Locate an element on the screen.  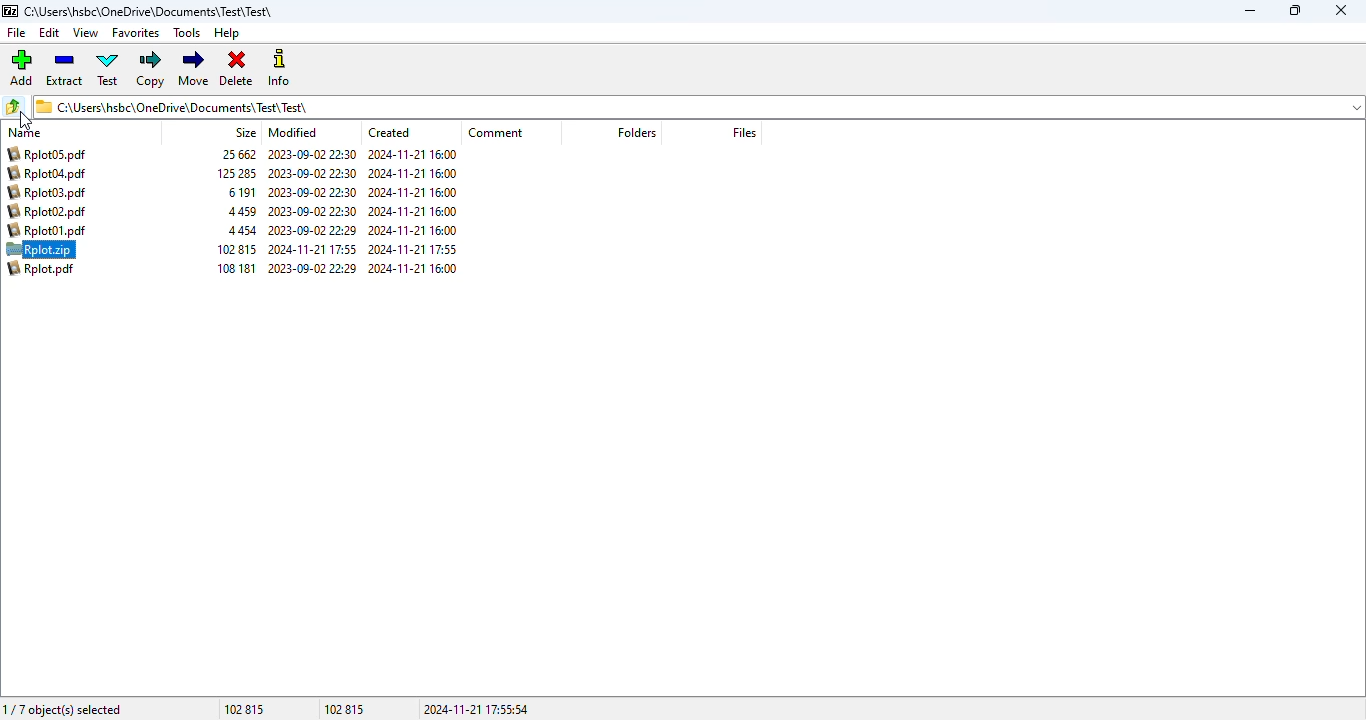
102 815 is located at coordinates (244, 709).